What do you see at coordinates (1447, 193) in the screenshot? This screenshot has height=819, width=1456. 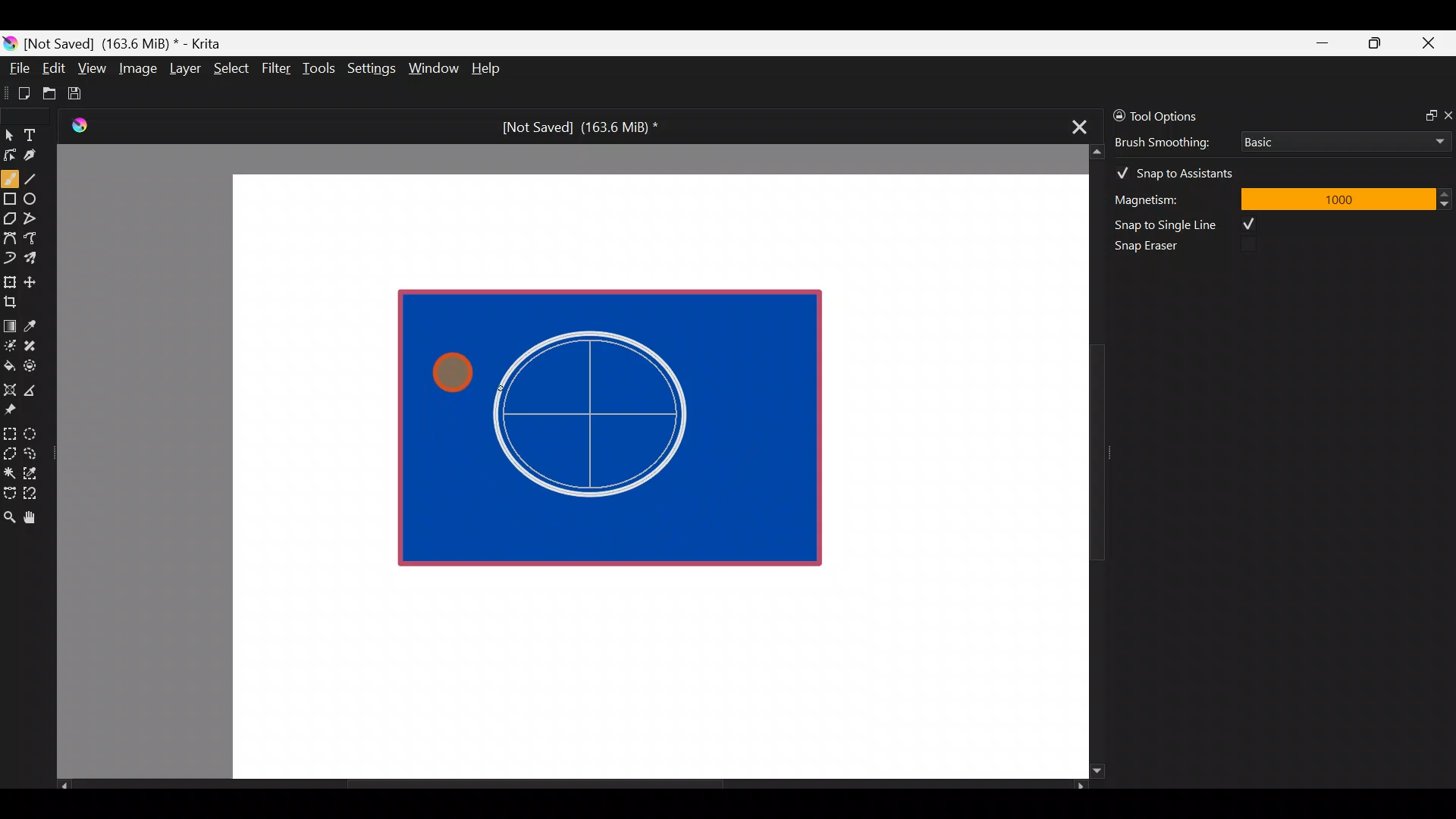 I see `Increase` at bounding box center [1447, 193].